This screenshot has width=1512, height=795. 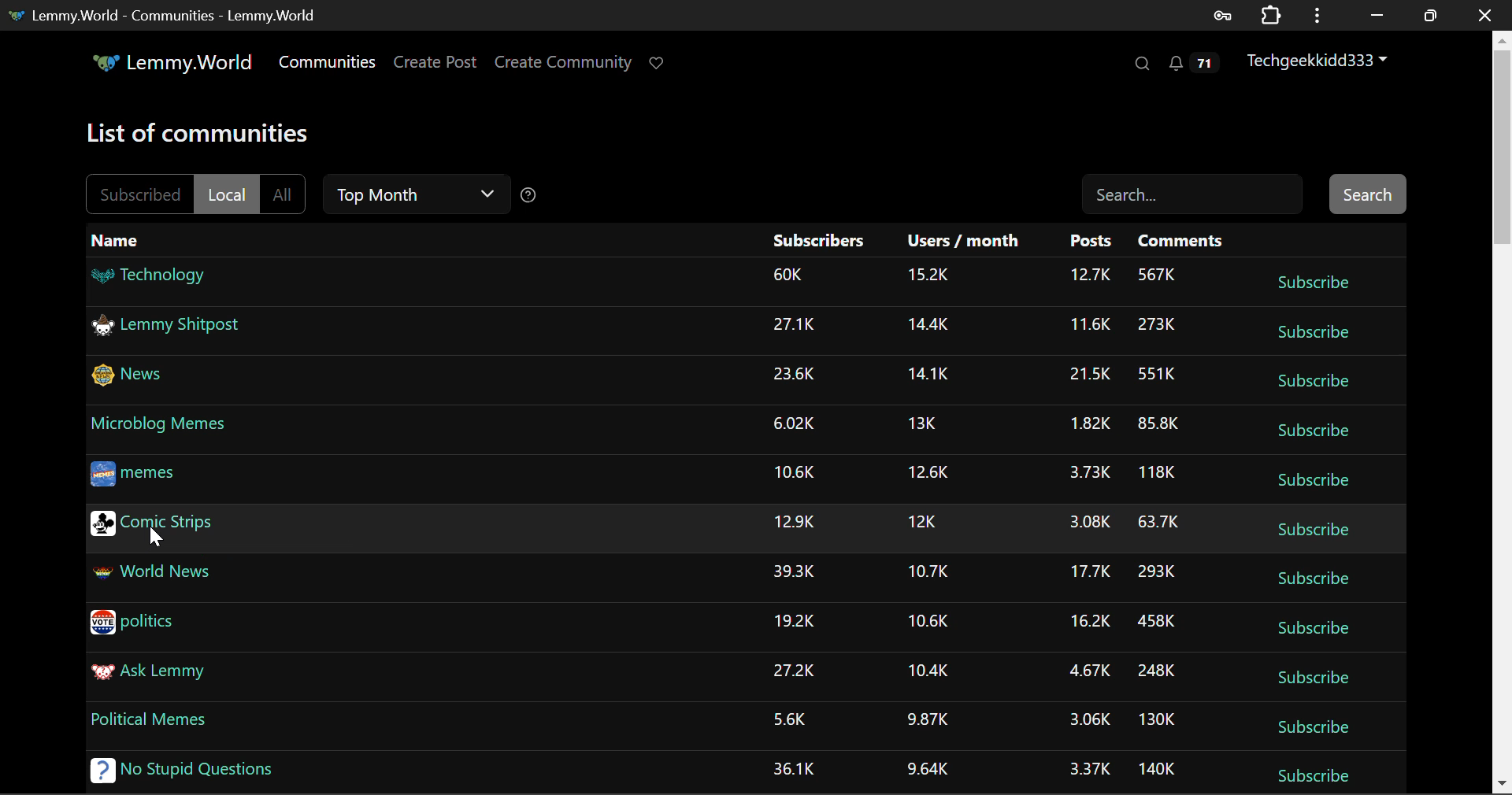 What do you see at coordinates (931, 672) in the screenshot?
I see `10.4K` at bounding box center [931, 672].